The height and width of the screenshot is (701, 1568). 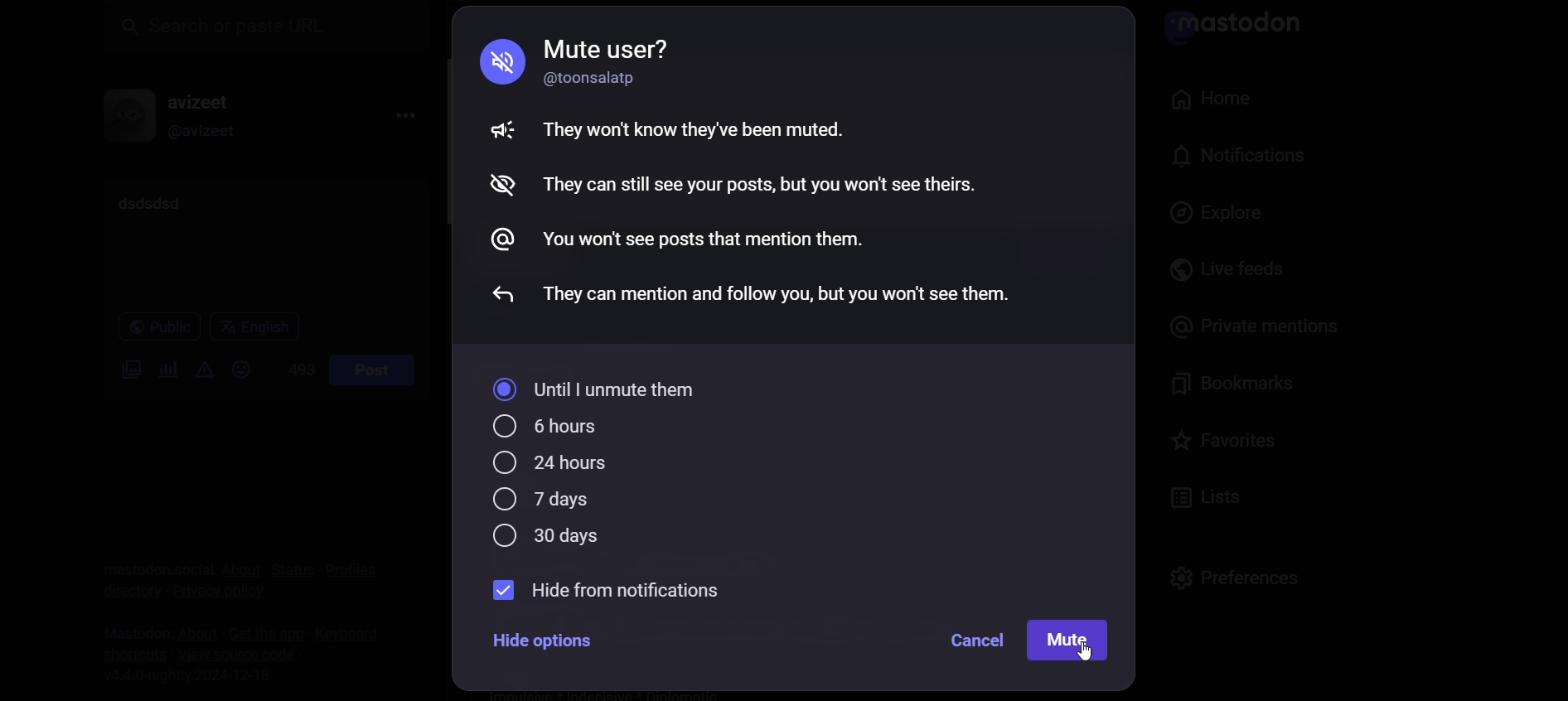 What do you see at coordinates (503, 130) in the screenshot?
I see `` at bounding box center [503, 130].